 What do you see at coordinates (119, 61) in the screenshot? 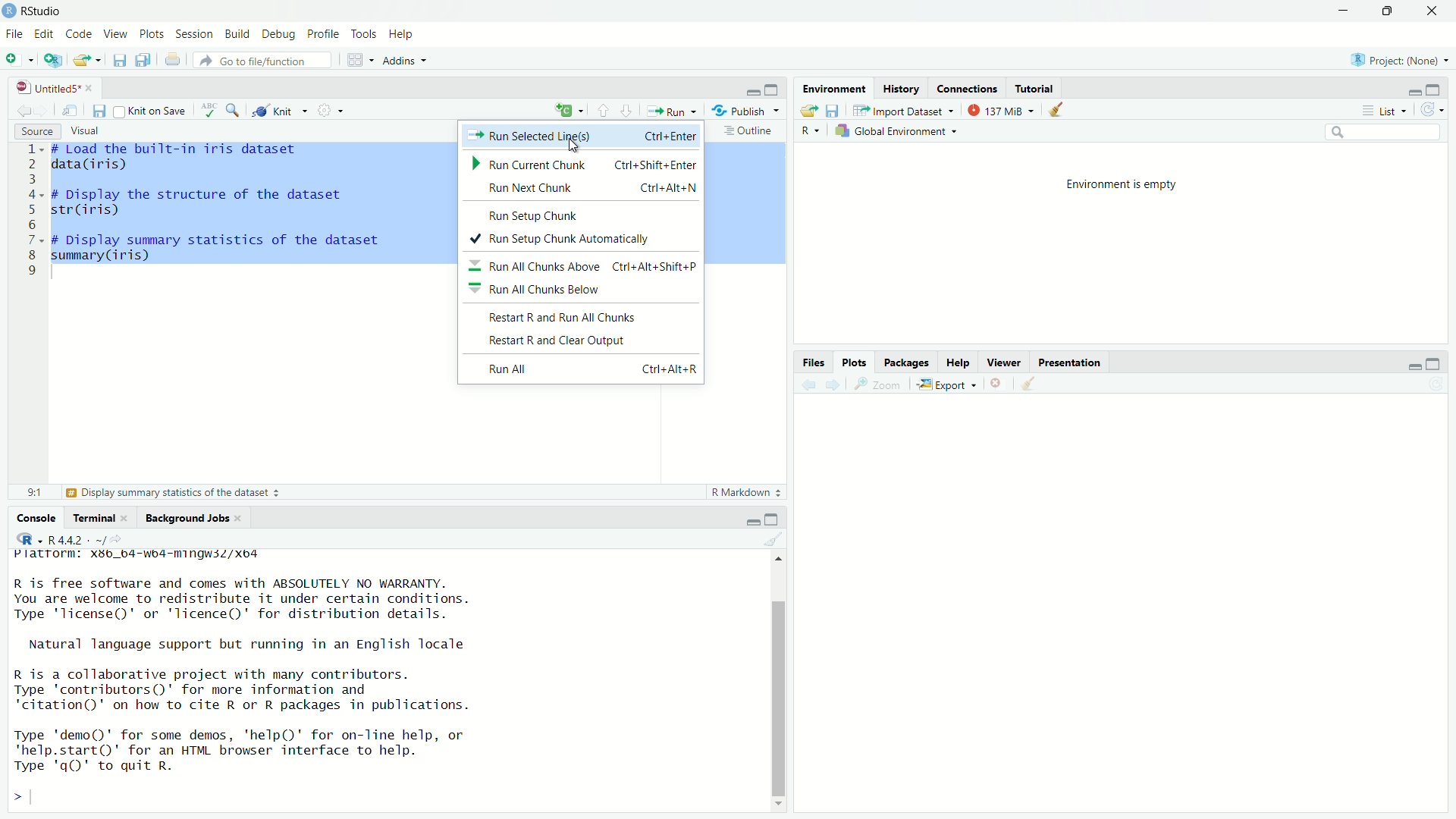
I see `Save current file` at bounding box center [119, 61].